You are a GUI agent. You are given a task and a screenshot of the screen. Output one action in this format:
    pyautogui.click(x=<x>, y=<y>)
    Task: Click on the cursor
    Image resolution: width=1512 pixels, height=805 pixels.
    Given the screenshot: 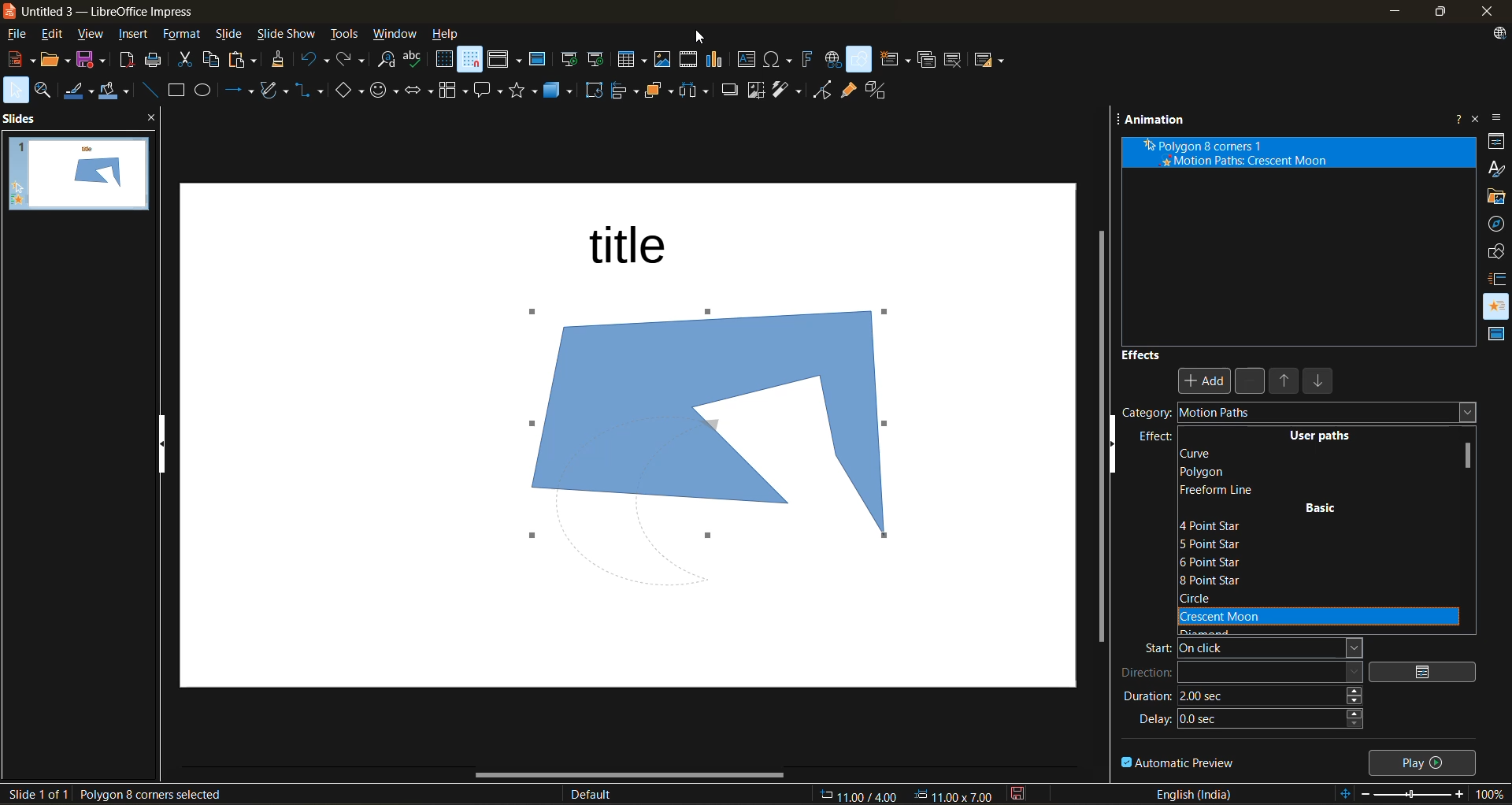 What is the action you would take?
    pyautogui.click(x=697, y=35)
    